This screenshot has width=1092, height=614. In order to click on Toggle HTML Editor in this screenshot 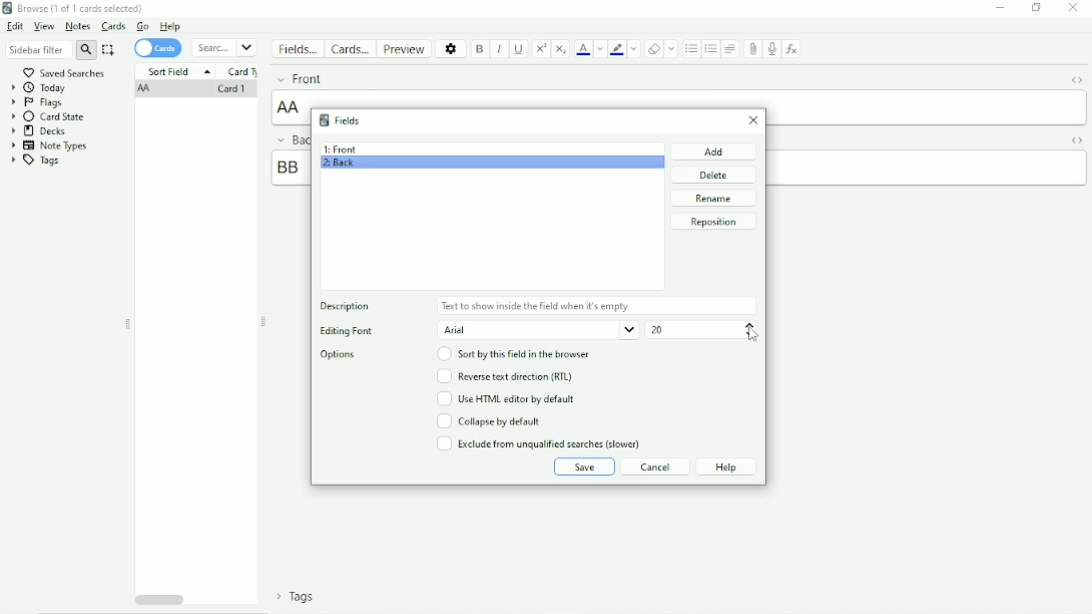, I will do `click(1076, 82)`.